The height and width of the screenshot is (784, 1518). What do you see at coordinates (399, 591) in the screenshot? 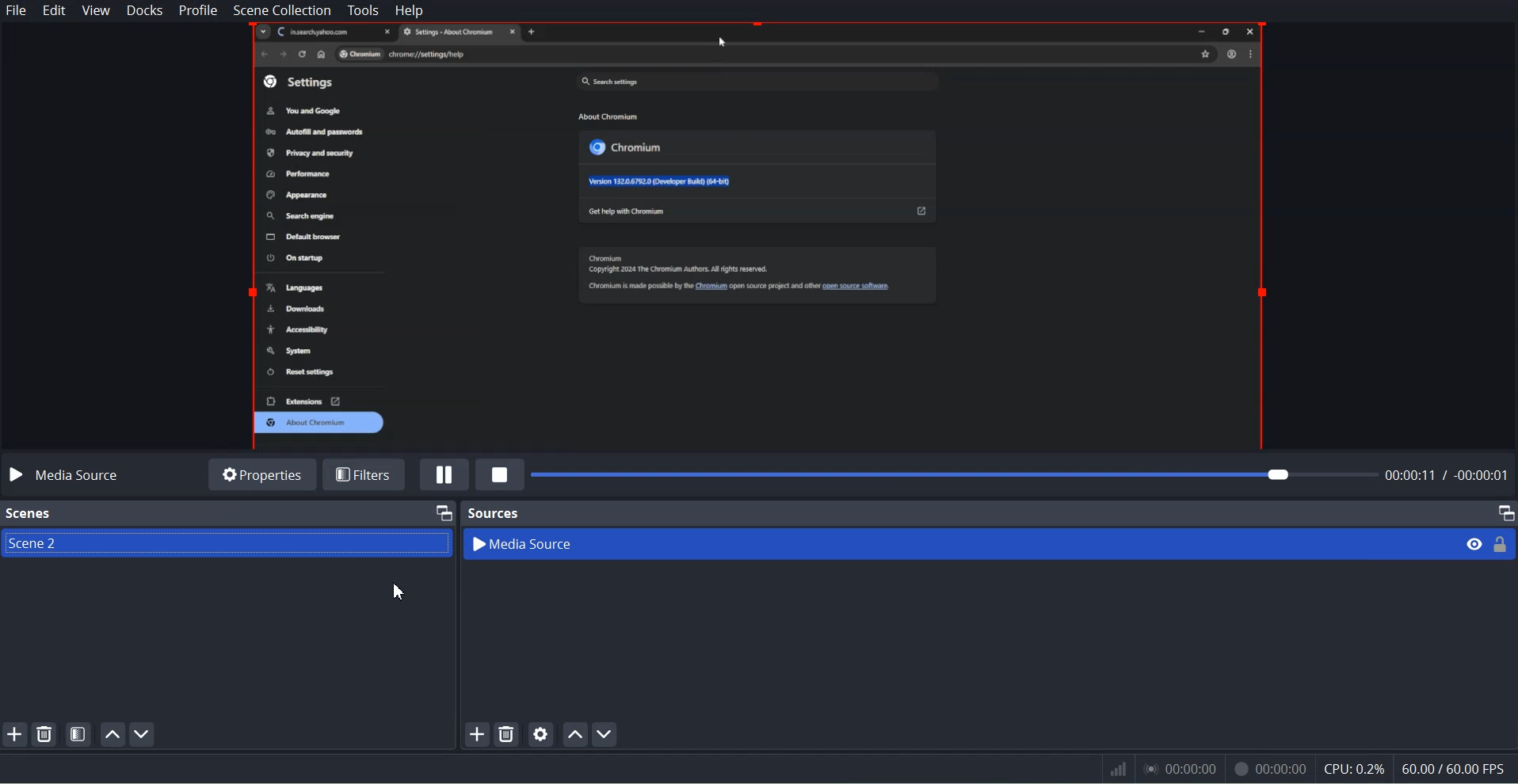
I see `Cursor` at bounding box center [399, 591].